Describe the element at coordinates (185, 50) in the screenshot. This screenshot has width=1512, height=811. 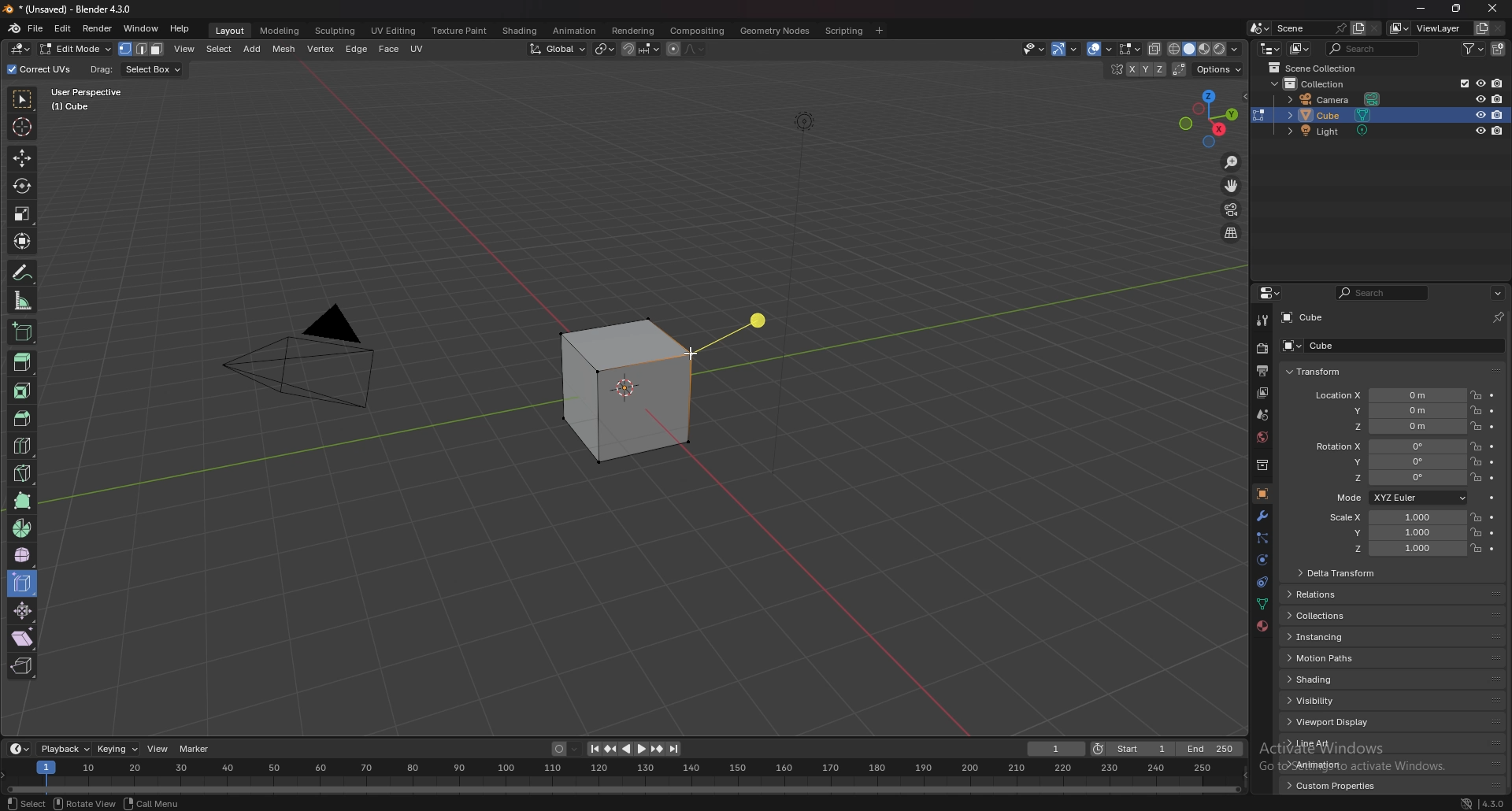
I see `view` at that location.